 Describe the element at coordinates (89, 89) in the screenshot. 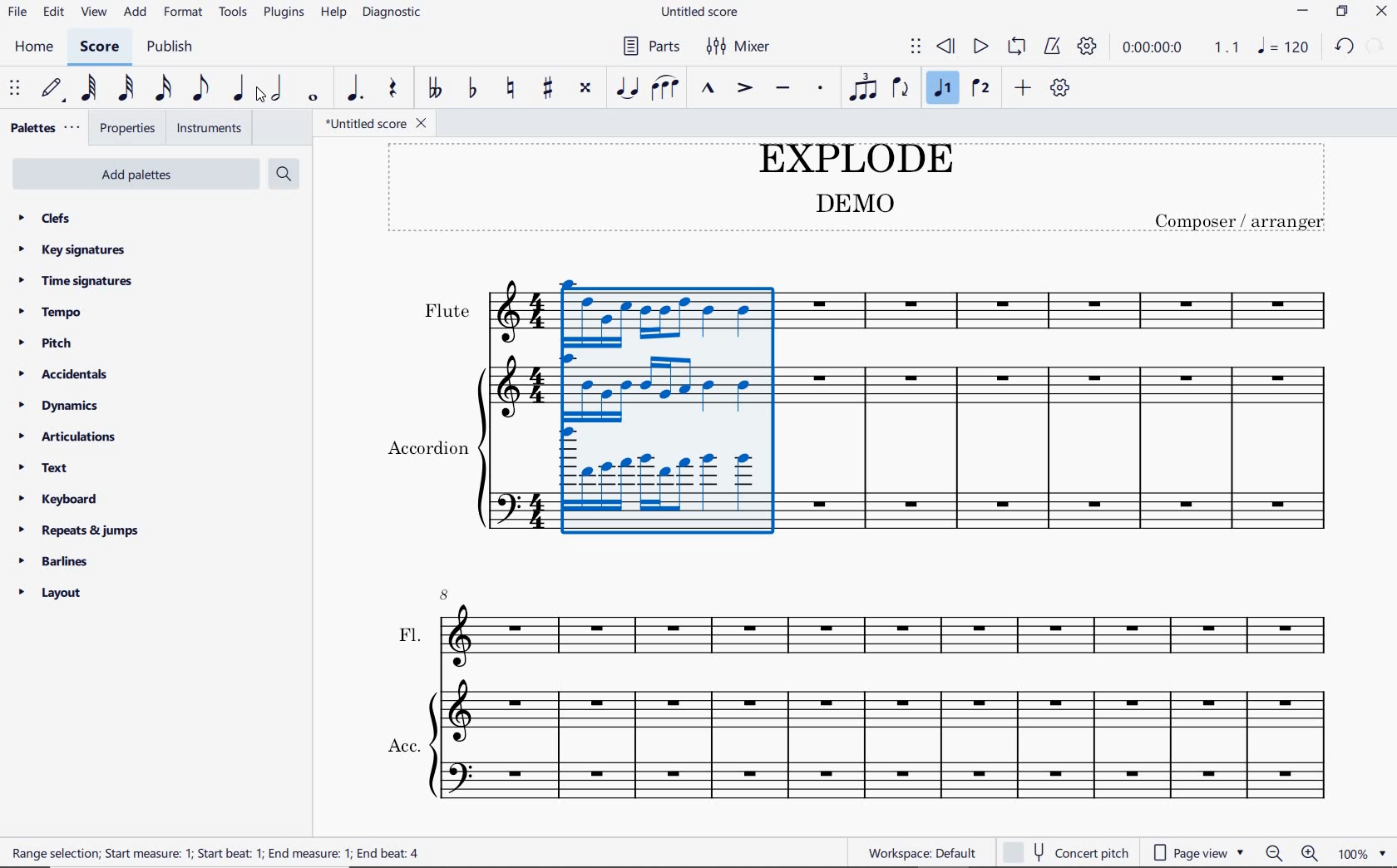

I see `64th note` at that location.